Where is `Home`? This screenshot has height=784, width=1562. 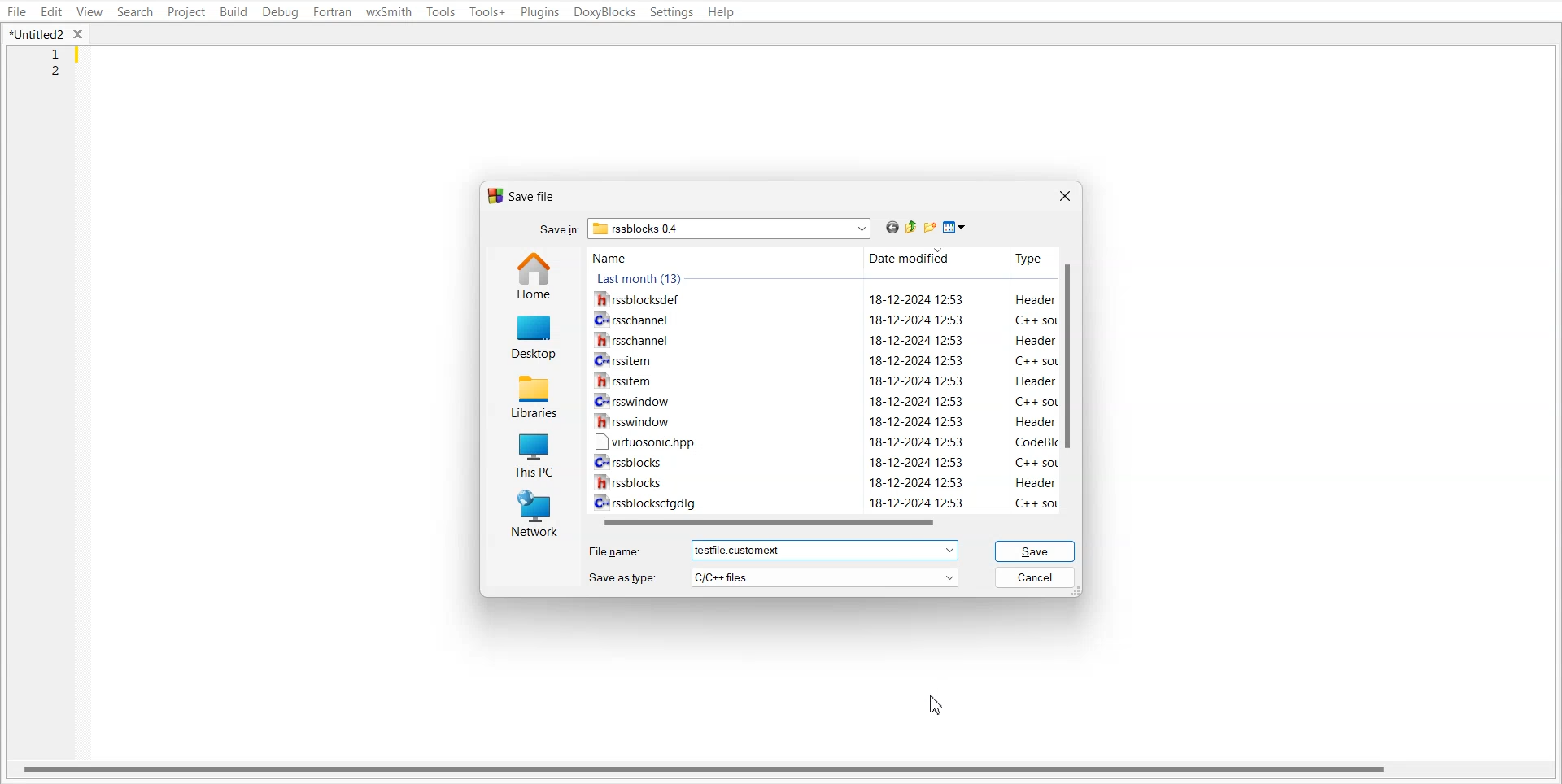
Home is located at coordinates (534, 274).